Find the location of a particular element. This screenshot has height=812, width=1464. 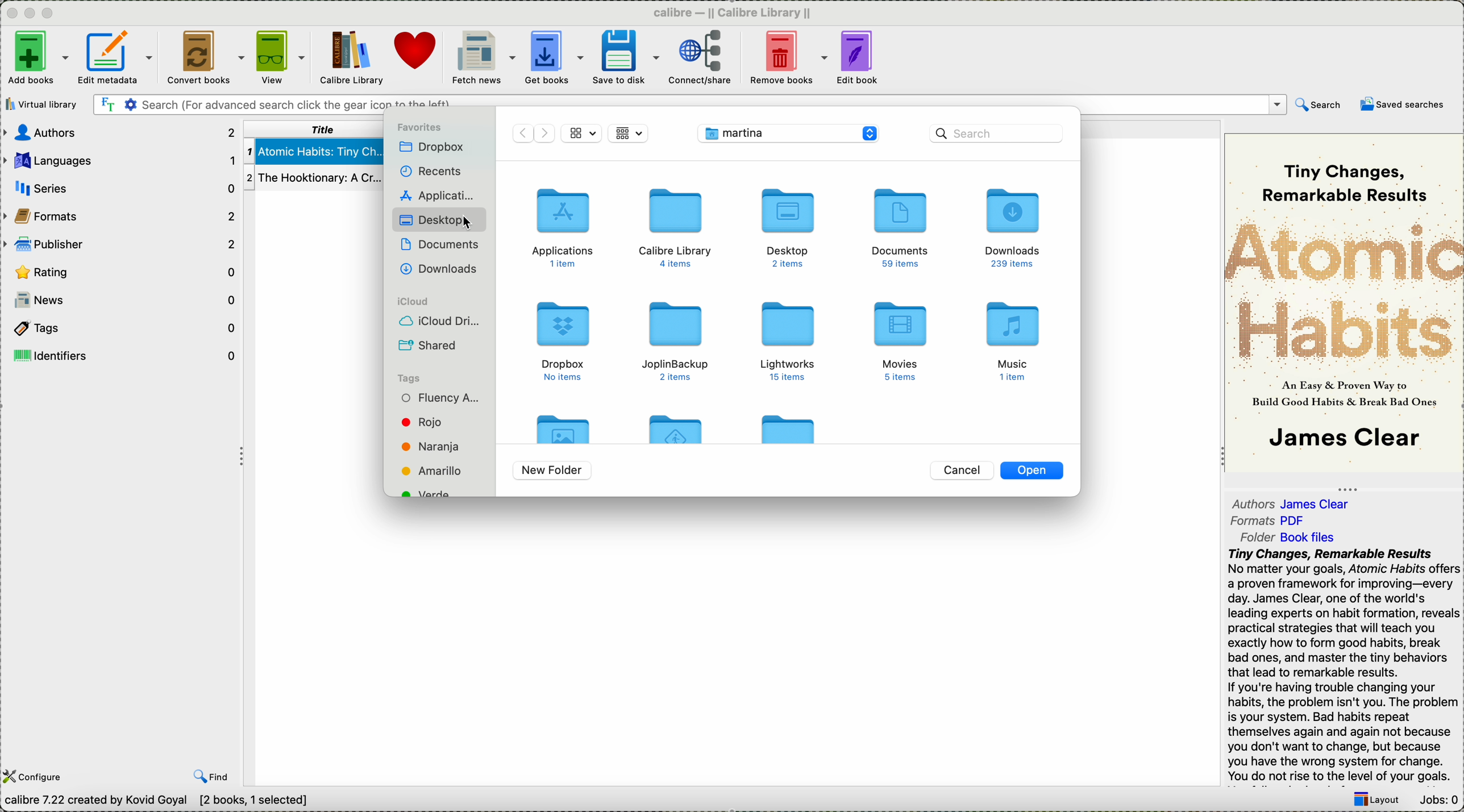

applications is located at coordinates (564, 225).